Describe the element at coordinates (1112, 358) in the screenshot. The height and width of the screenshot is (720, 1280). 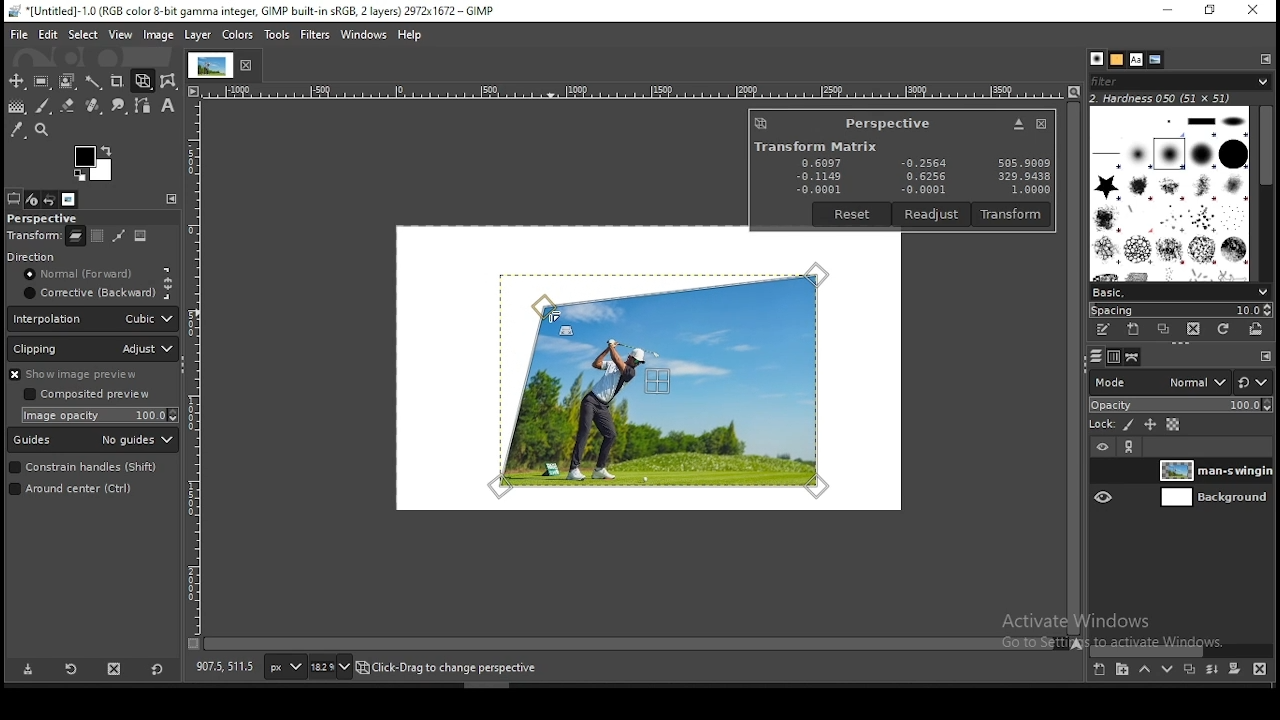
I see `channels` at that location.